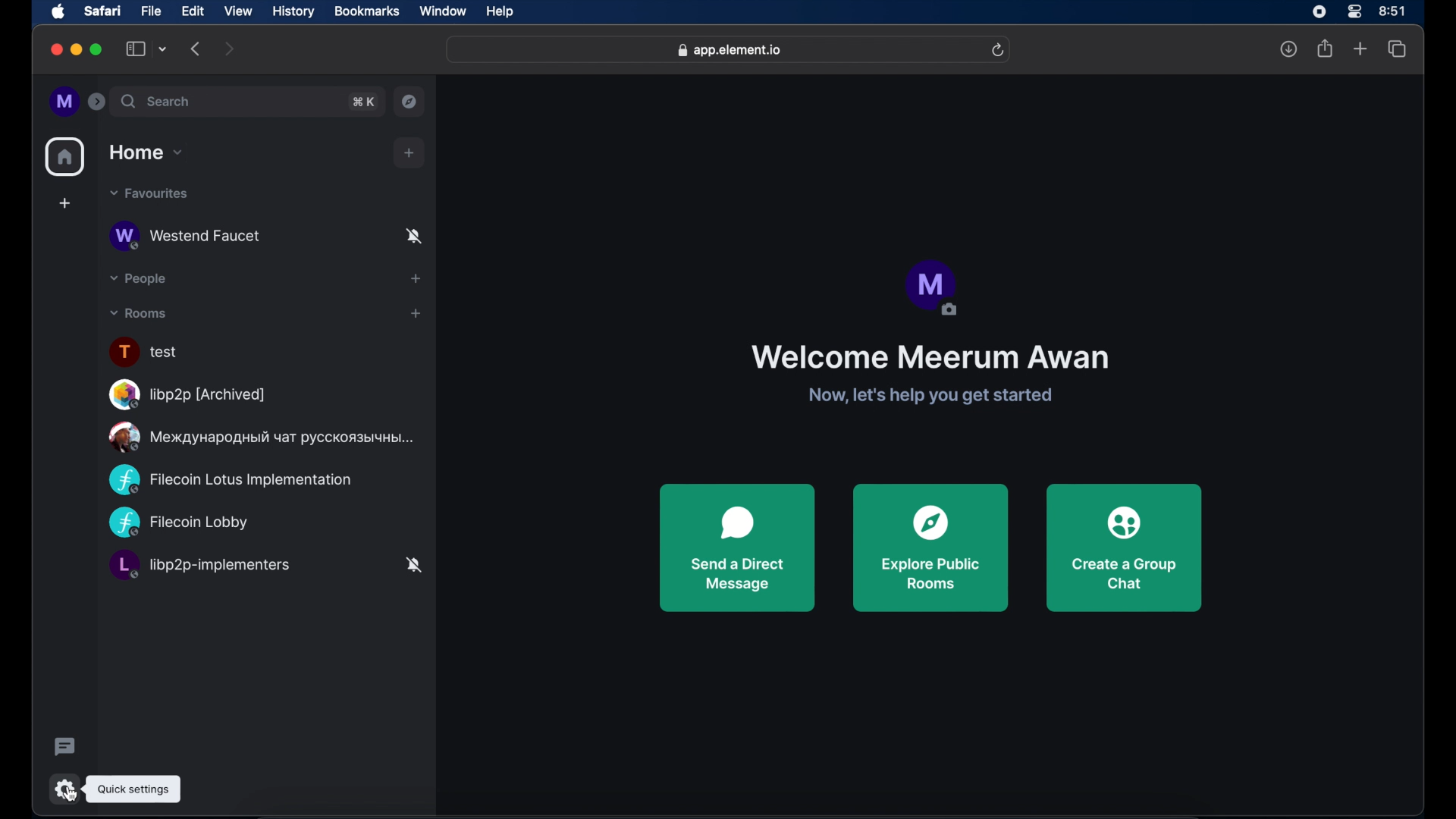 This screenshot has height=819, width=1456. What do you see at coordinates (77, 49) in the screenshot?
I see `minimize` at bounding box center [77, 49].